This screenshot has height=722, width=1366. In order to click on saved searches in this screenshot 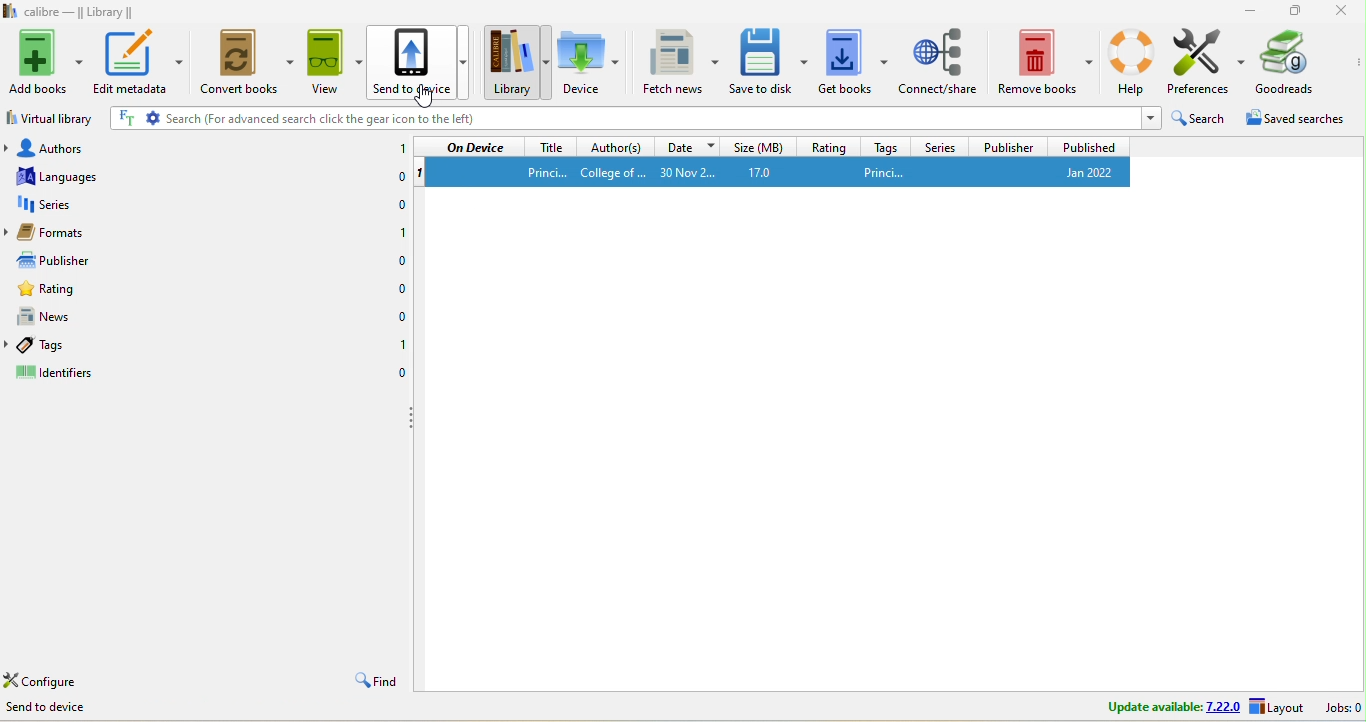, I will do `click(1298, 120)`.